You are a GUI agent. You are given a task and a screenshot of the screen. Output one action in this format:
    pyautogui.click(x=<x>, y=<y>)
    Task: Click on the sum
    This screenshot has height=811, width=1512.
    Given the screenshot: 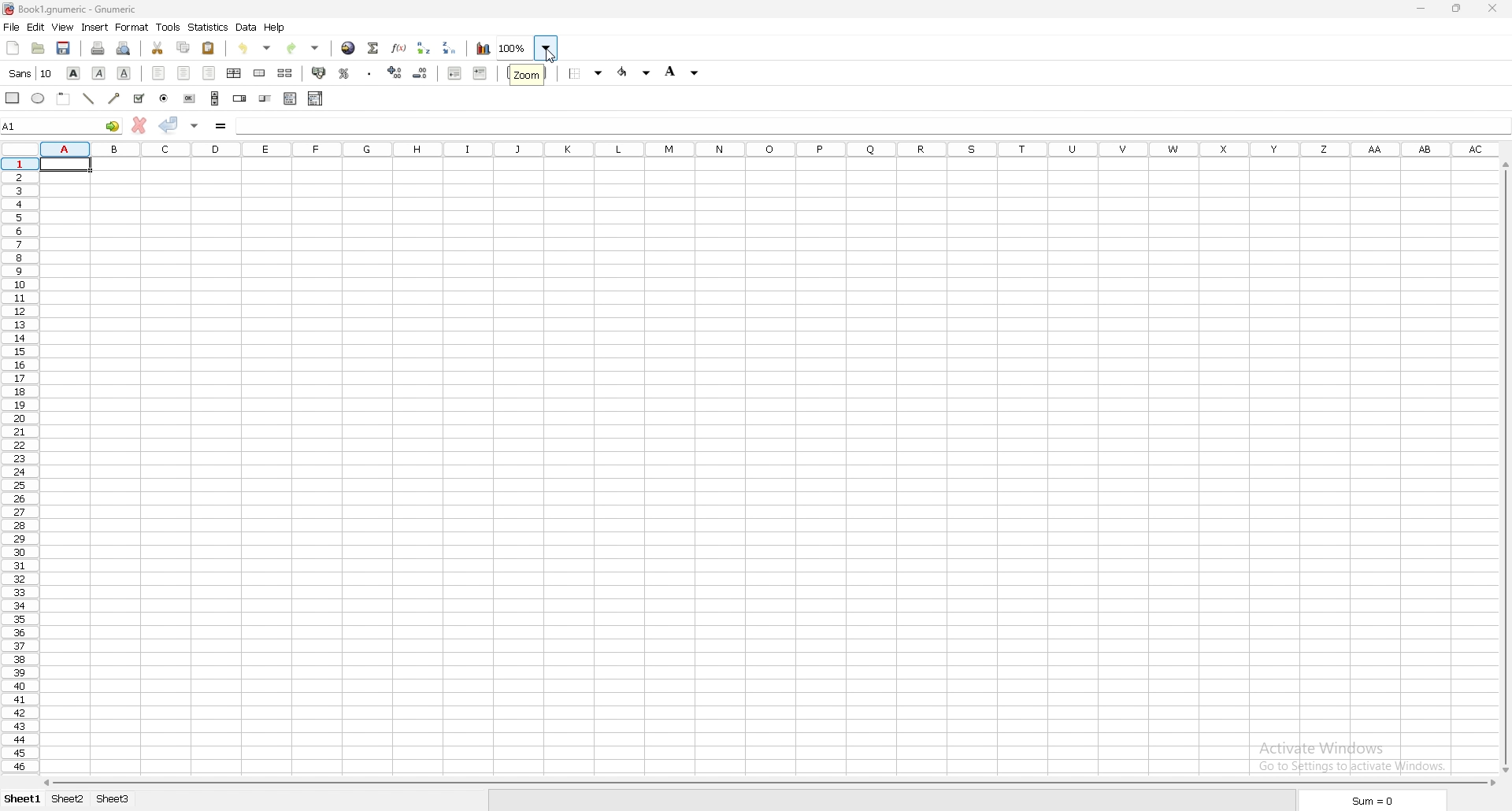 What is the action you would take?
    pyautogui.click(x=1370, y=801)
    